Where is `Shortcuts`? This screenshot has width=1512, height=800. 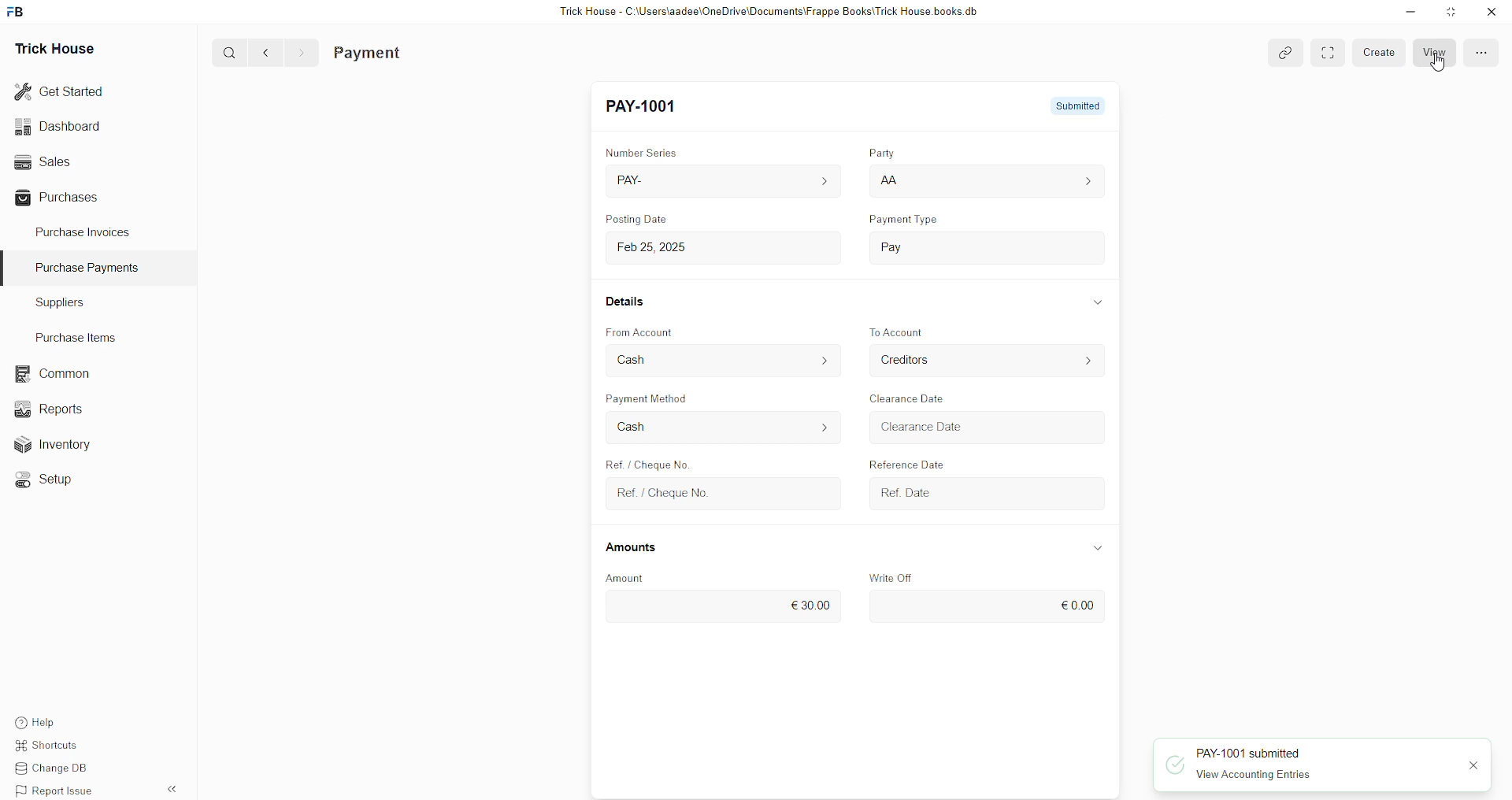 Shortcuts is located at coordinates (56, 747).